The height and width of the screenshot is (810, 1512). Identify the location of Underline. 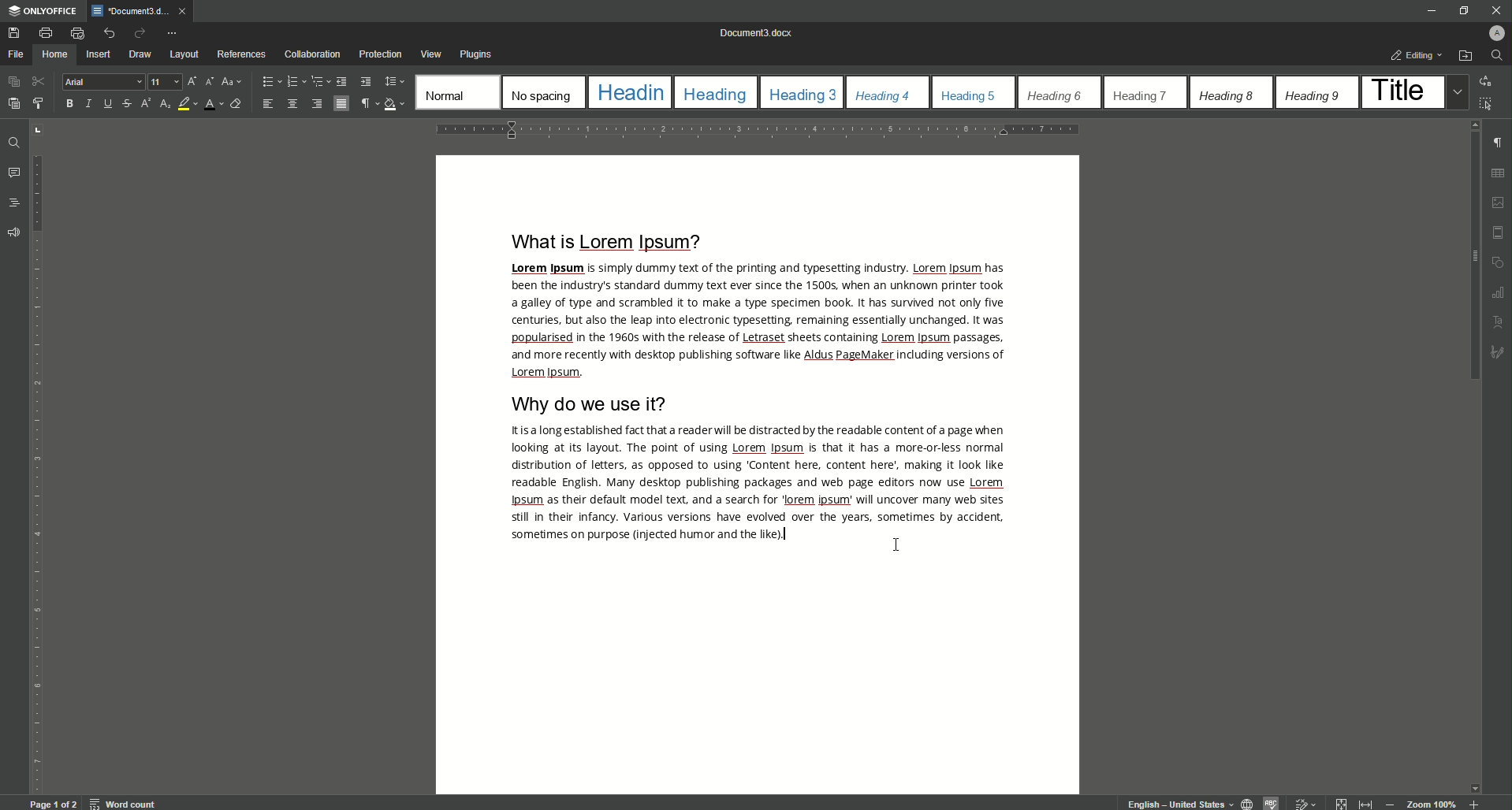
(109, 103).